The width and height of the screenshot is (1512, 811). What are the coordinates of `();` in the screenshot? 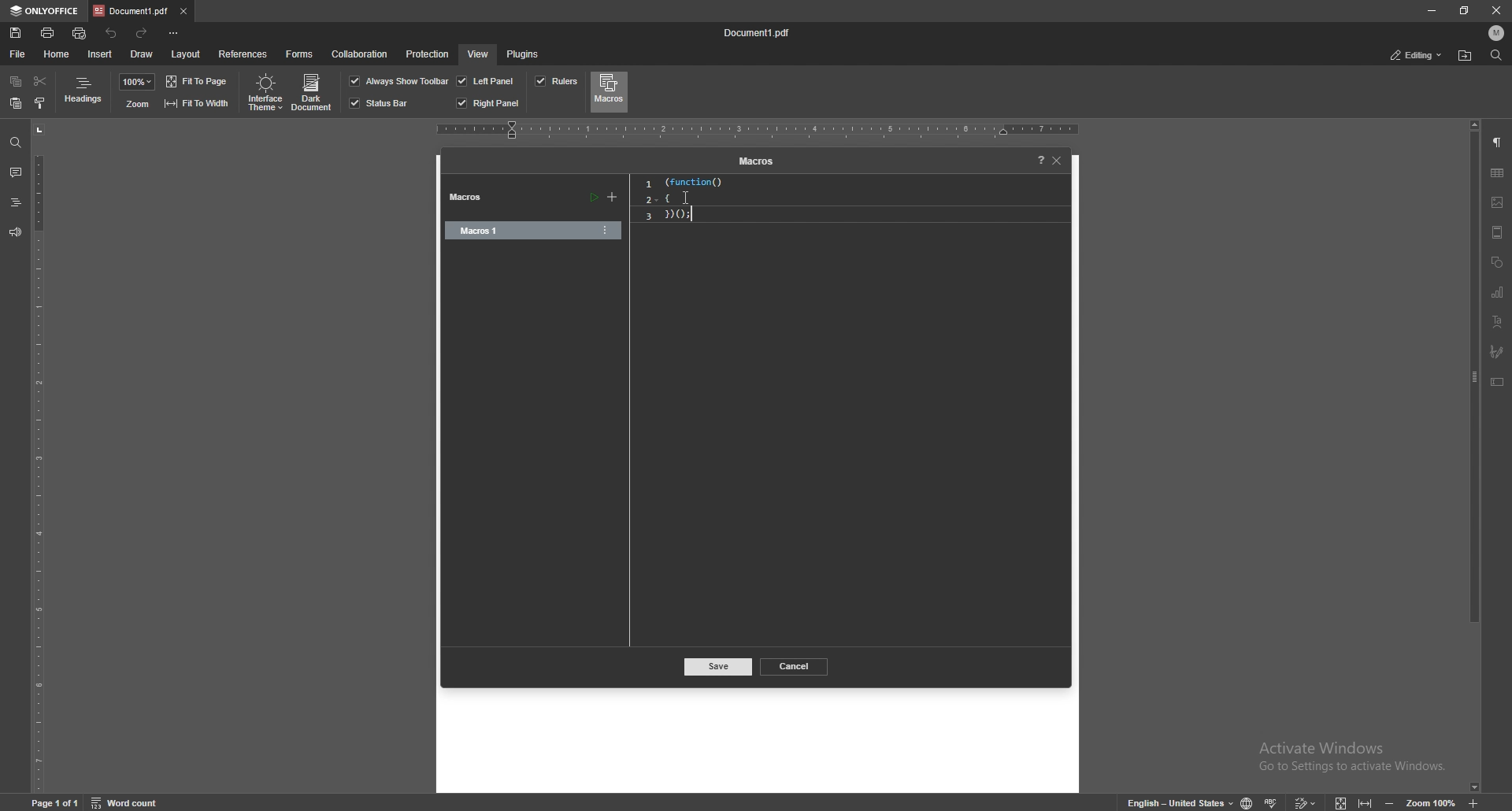 It's located at (687, 216).